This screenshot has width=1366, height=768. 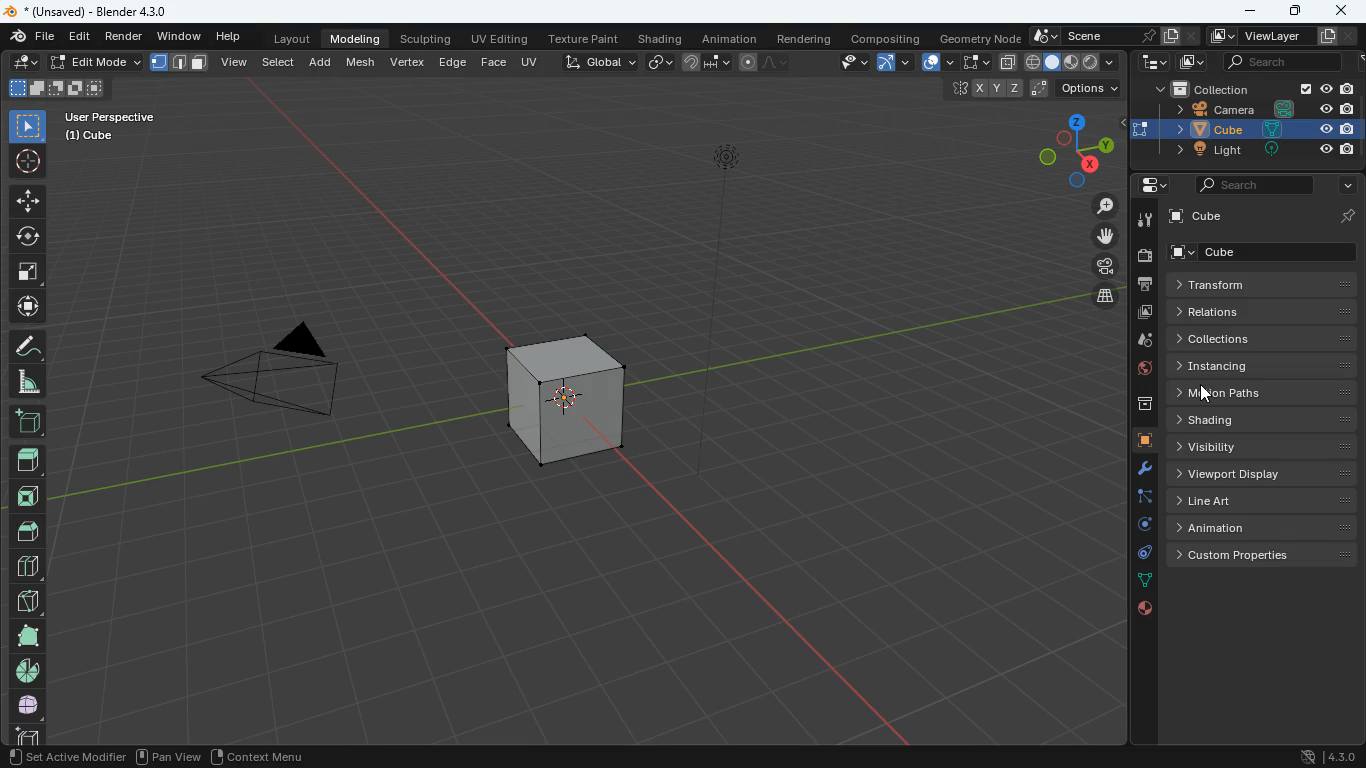 What do you see at coordinates (181, 37) in the screenshot?
I see `window` at bounding box center [181, 37].